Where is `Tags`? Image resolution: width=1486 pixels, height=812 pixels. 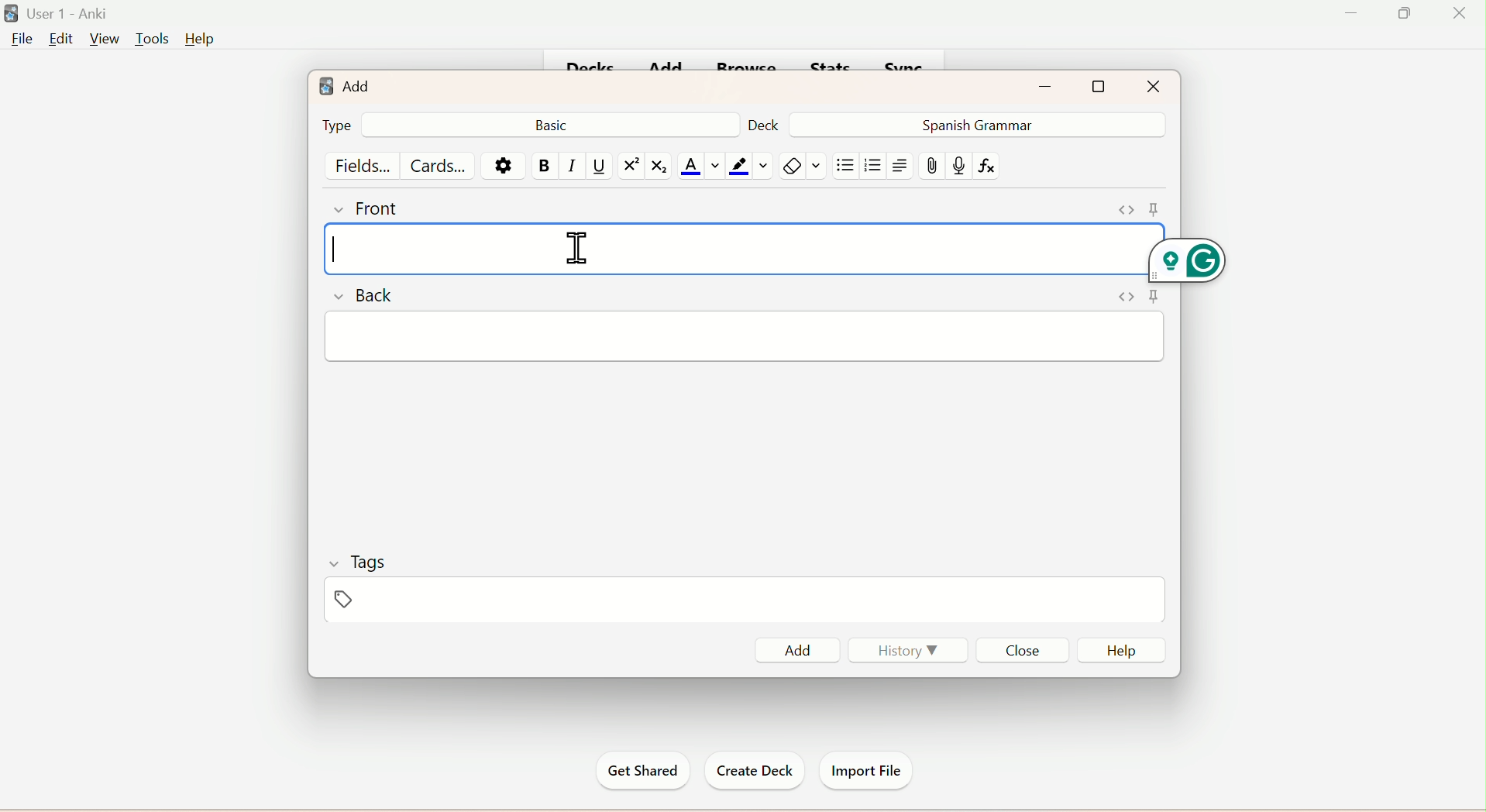
Tags is located at coordinates (356, 561).